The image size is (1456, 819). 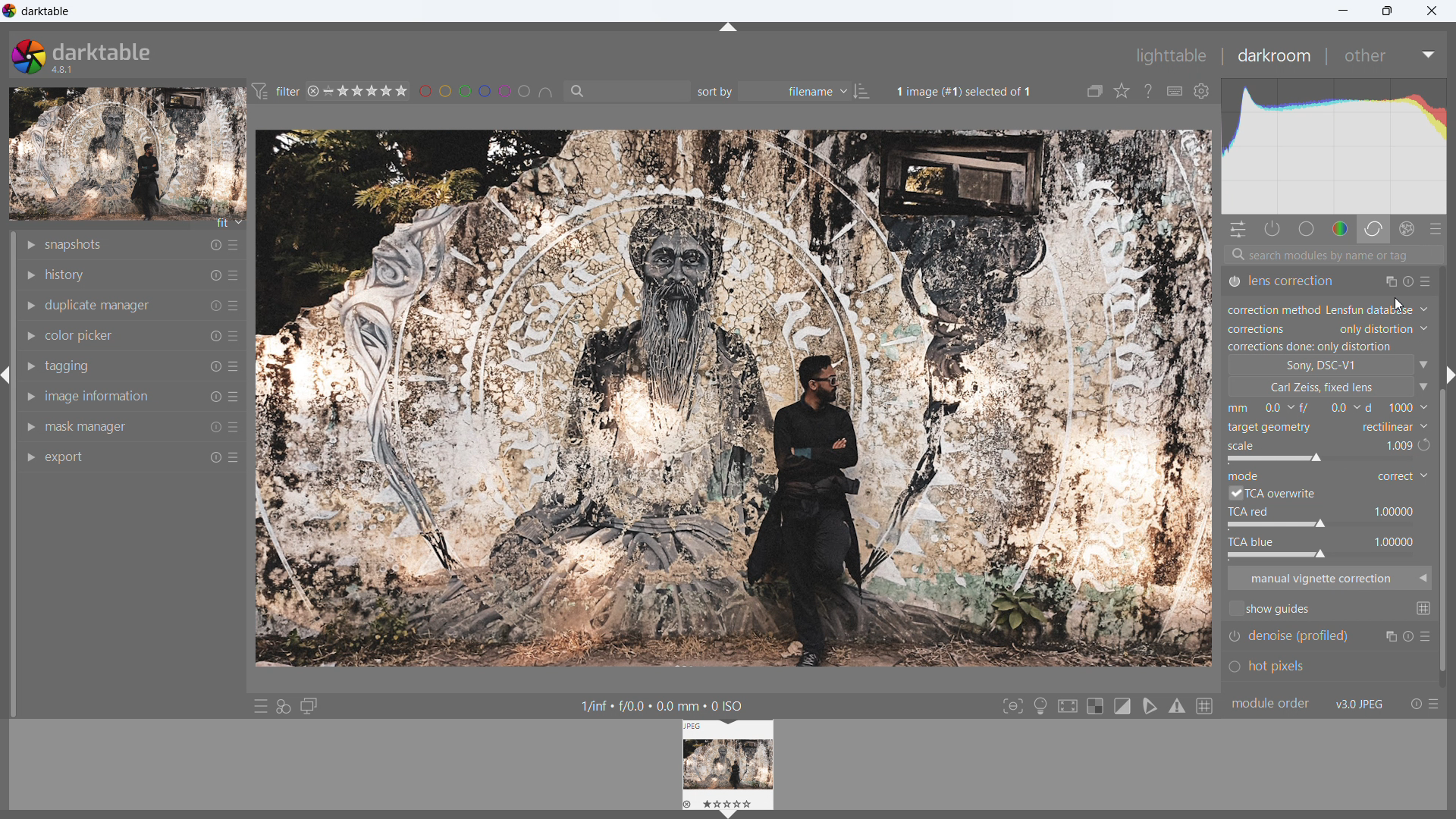 I want to click on toggle softproofing, so click(x=1149, y=707).